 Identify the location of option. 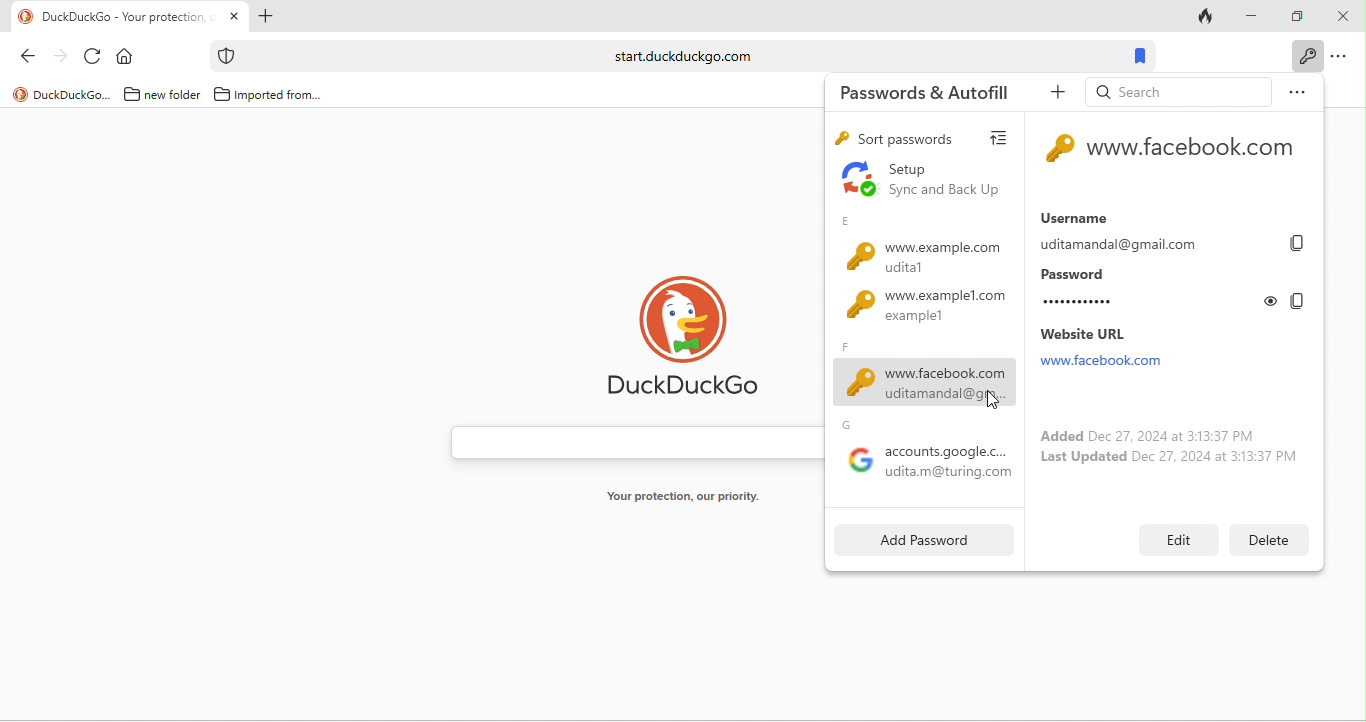
(1296, 90).